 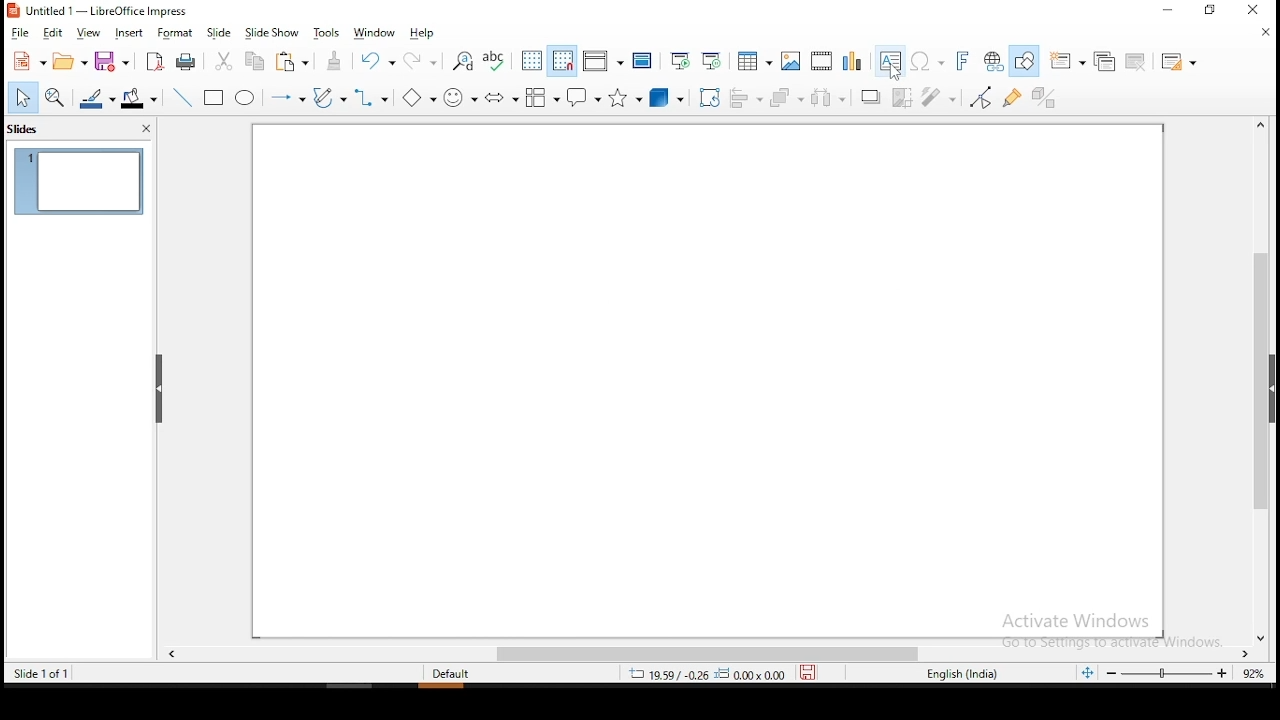 I want to click on connectors, so click(x=367, y=97).